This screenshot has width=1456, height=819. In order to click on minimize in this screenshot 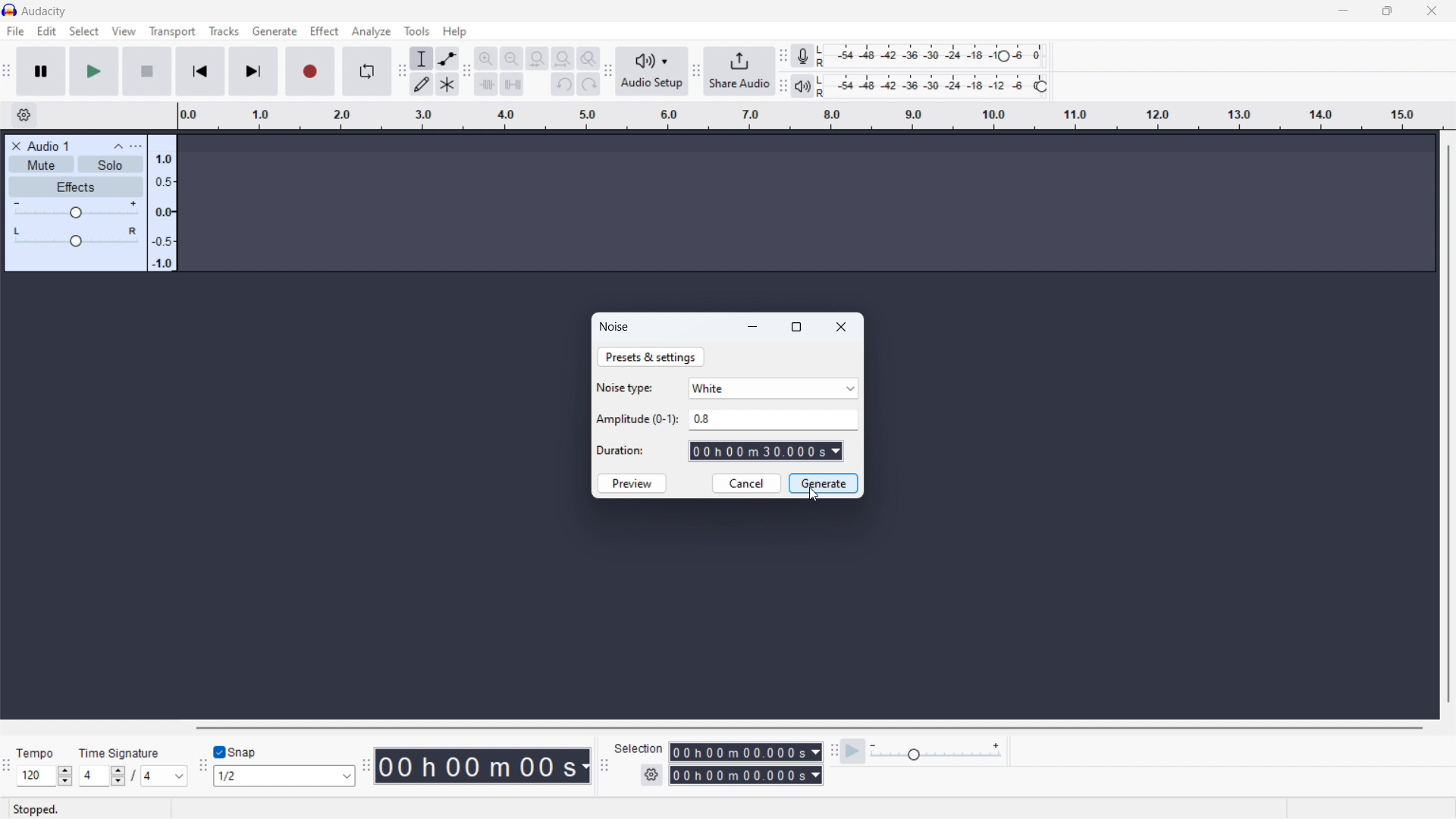, I will do `click(755, 327)`.